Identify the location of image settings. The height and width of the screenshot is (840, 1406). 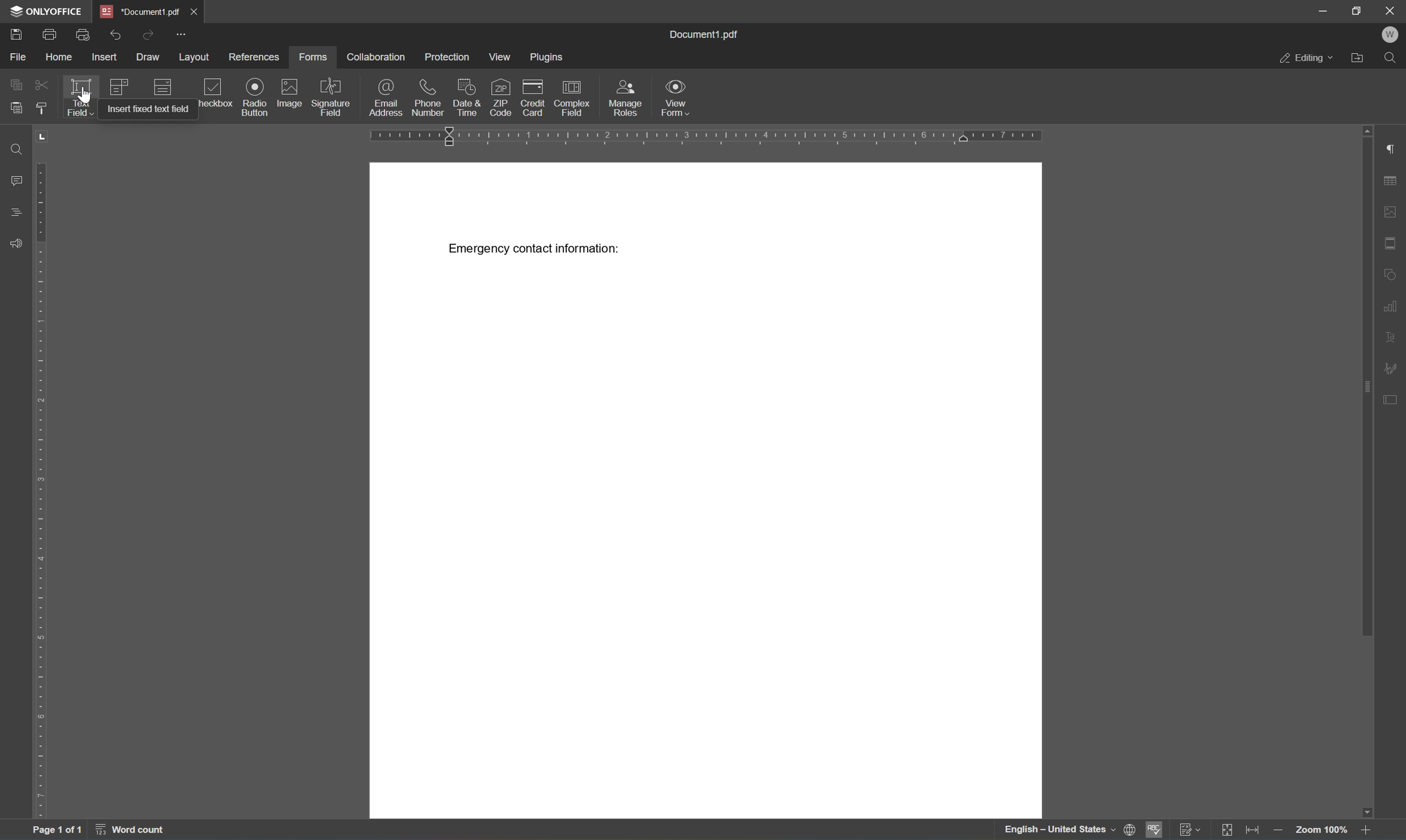
(1394, 207).